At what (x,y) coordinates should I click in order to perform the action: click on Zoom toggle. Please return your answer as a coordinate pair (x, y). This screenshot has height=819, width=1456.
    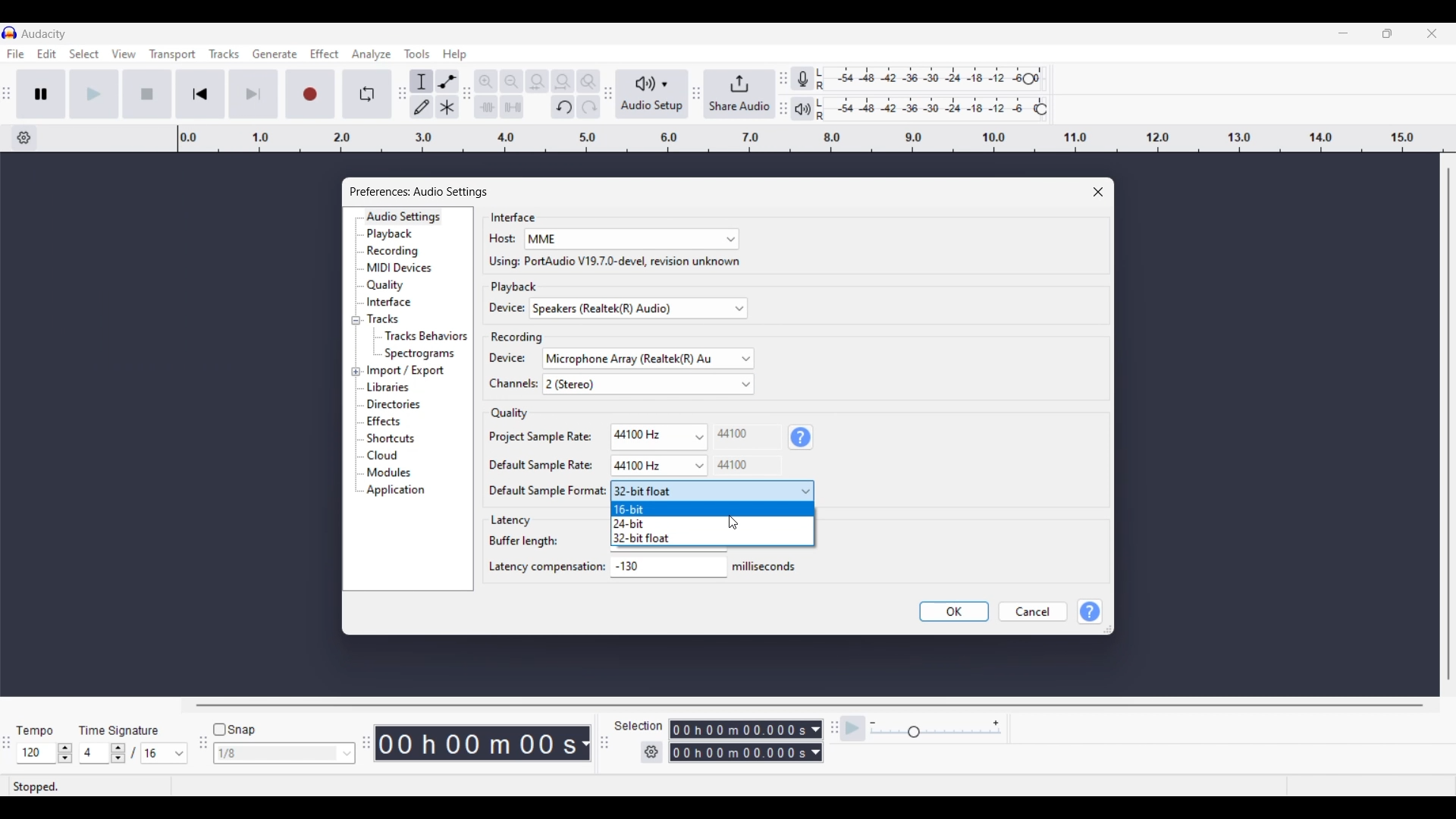
    Looking at the image, I should click on (588, 81).